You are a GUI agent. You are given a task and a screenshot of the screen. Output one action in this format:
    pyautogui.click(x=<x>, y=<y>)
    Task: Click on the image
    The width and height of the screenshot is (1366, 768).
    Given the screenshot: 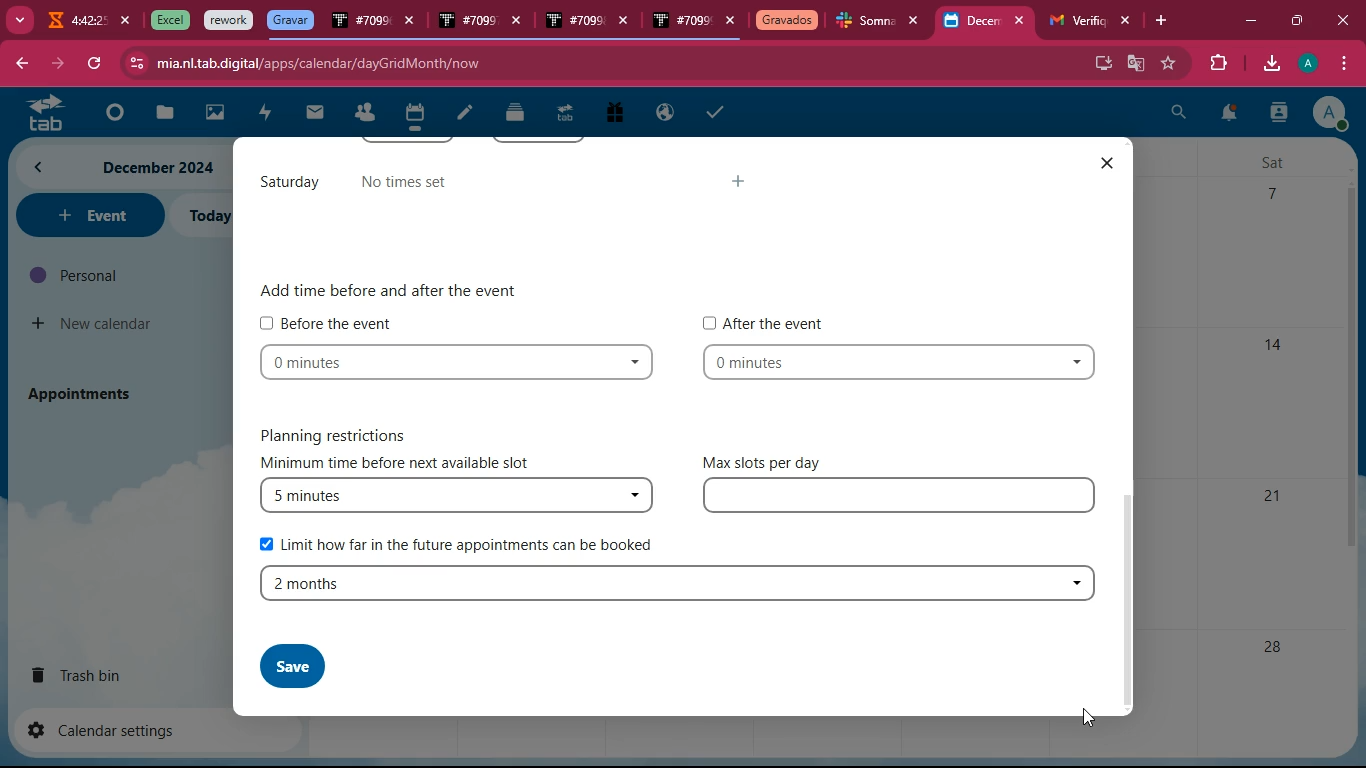 What is the action you would take?
    pyautogui.click(x=216, y=115)
    